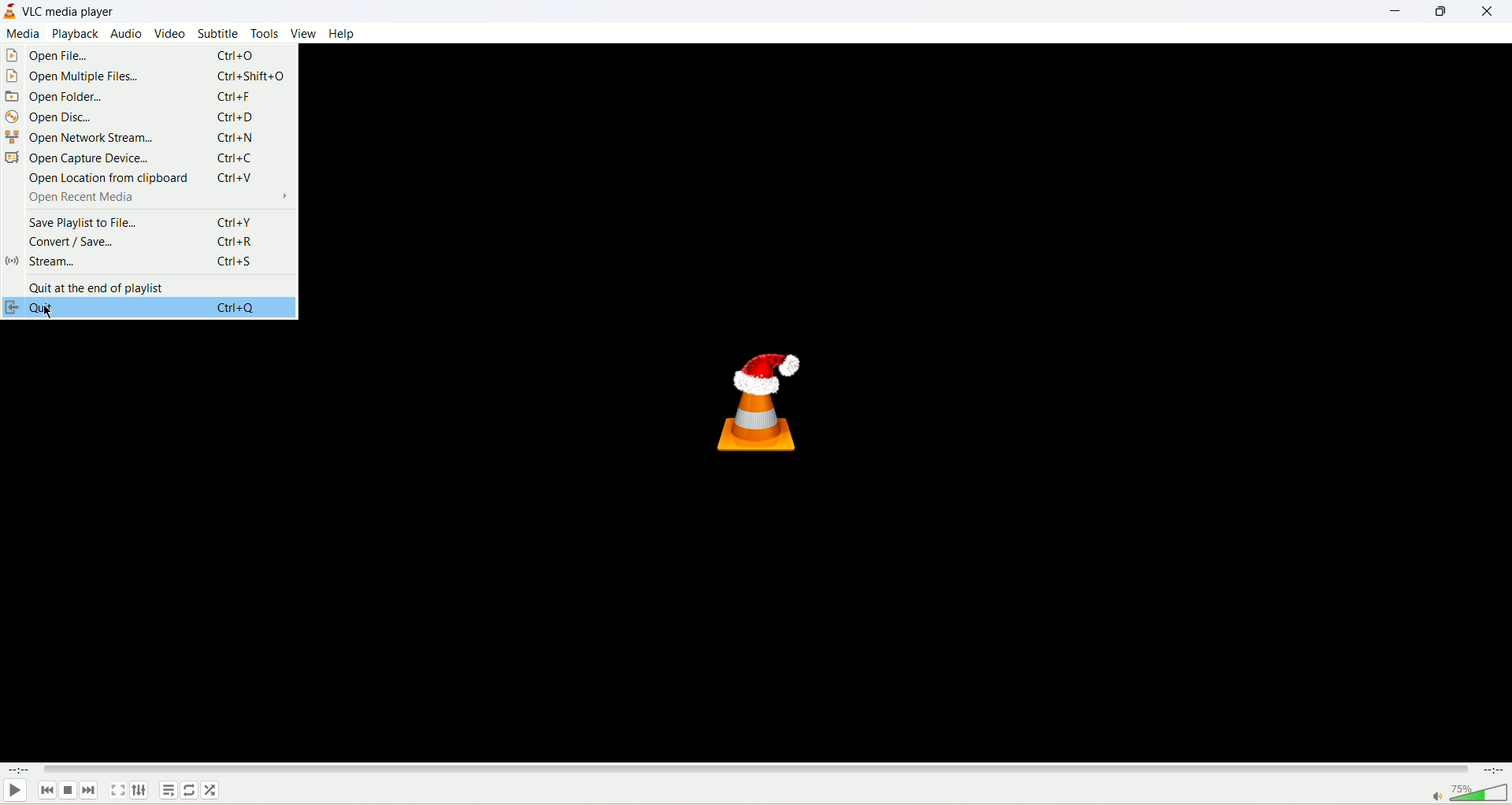 The width and height of the screenshot is (1512, 805). What do you see at coordinates (150, 57) in the screenshot?
I see `open file` at bounding box center [150, 57].